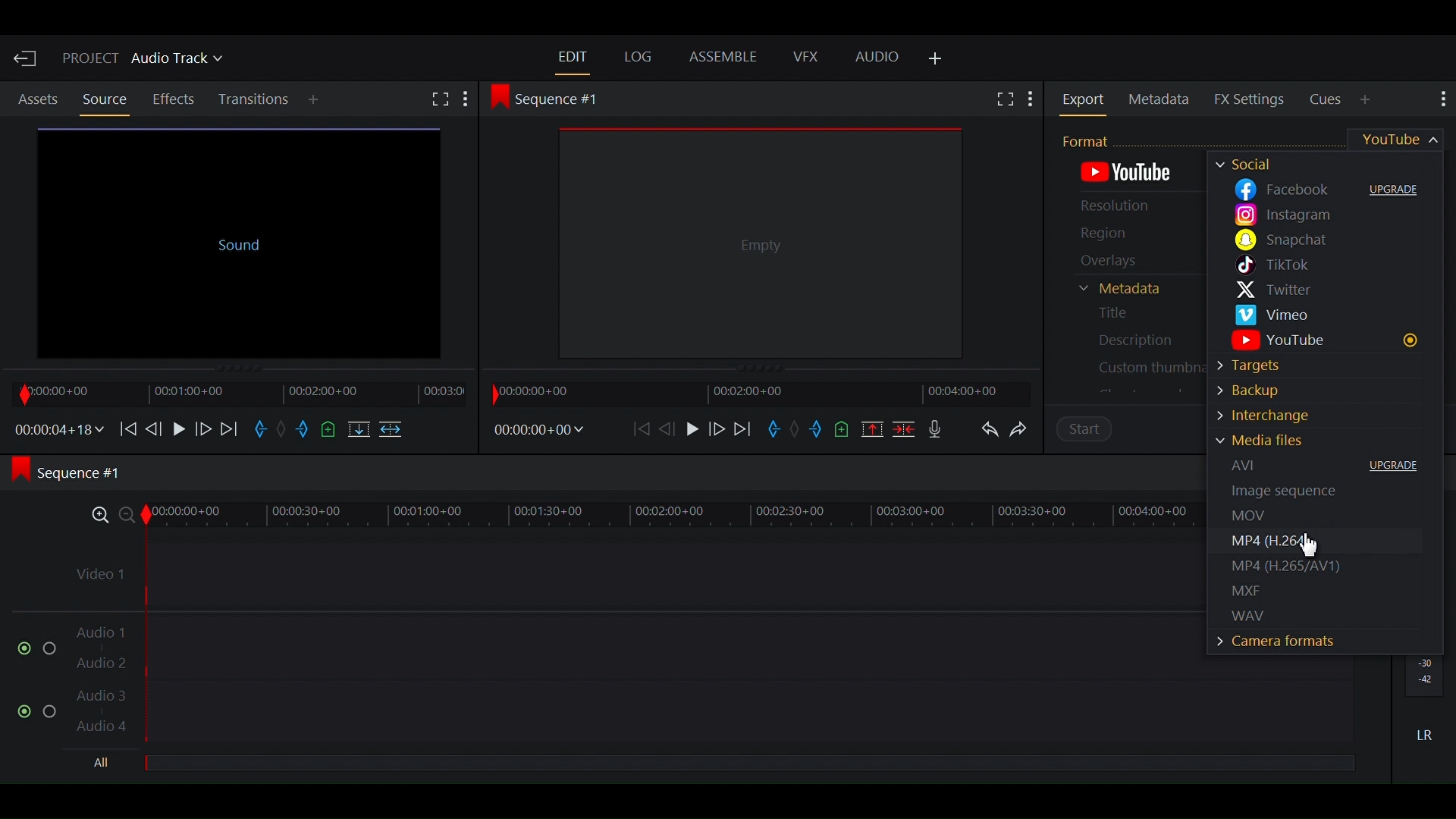 Image resolution: width=1456 pixels, height=819 pixels. Describe the element at coordinates (748, 764) in the screenshot. I see `All` at that location.